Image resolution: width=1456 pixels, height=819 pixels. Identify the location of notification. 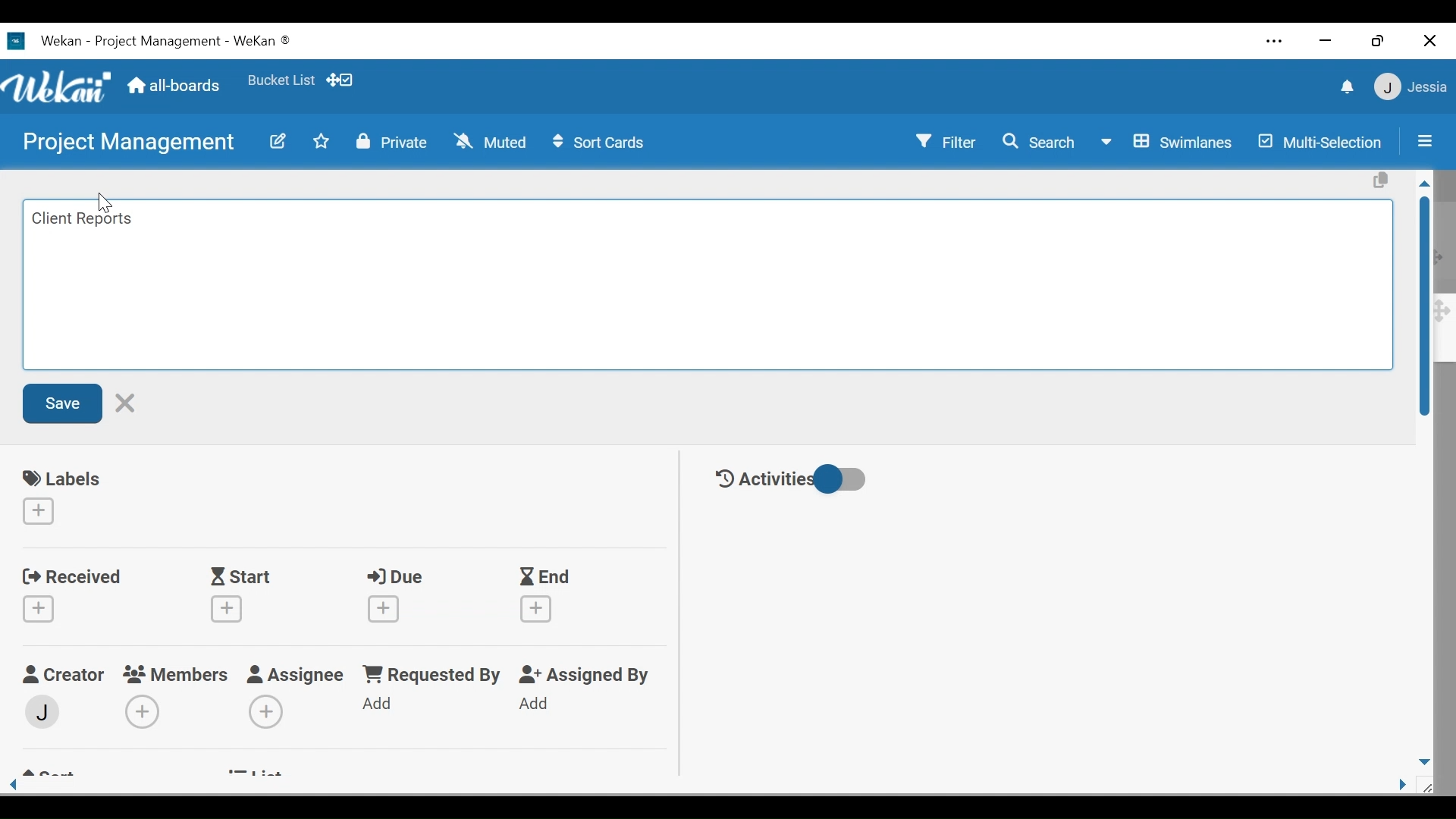
(1349, 88).